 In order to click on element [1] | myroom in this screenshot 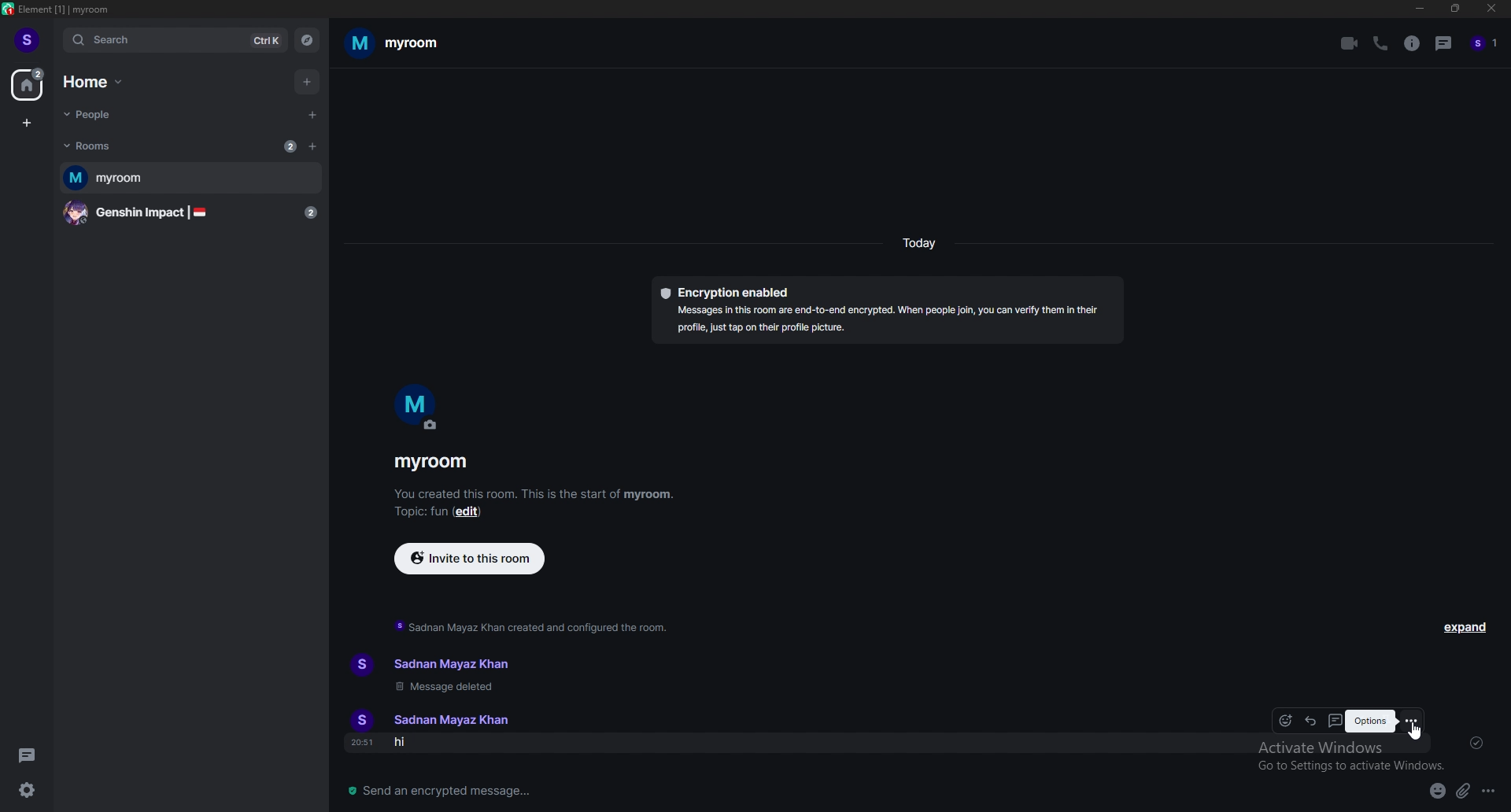, I will do `click(58, 9)`.